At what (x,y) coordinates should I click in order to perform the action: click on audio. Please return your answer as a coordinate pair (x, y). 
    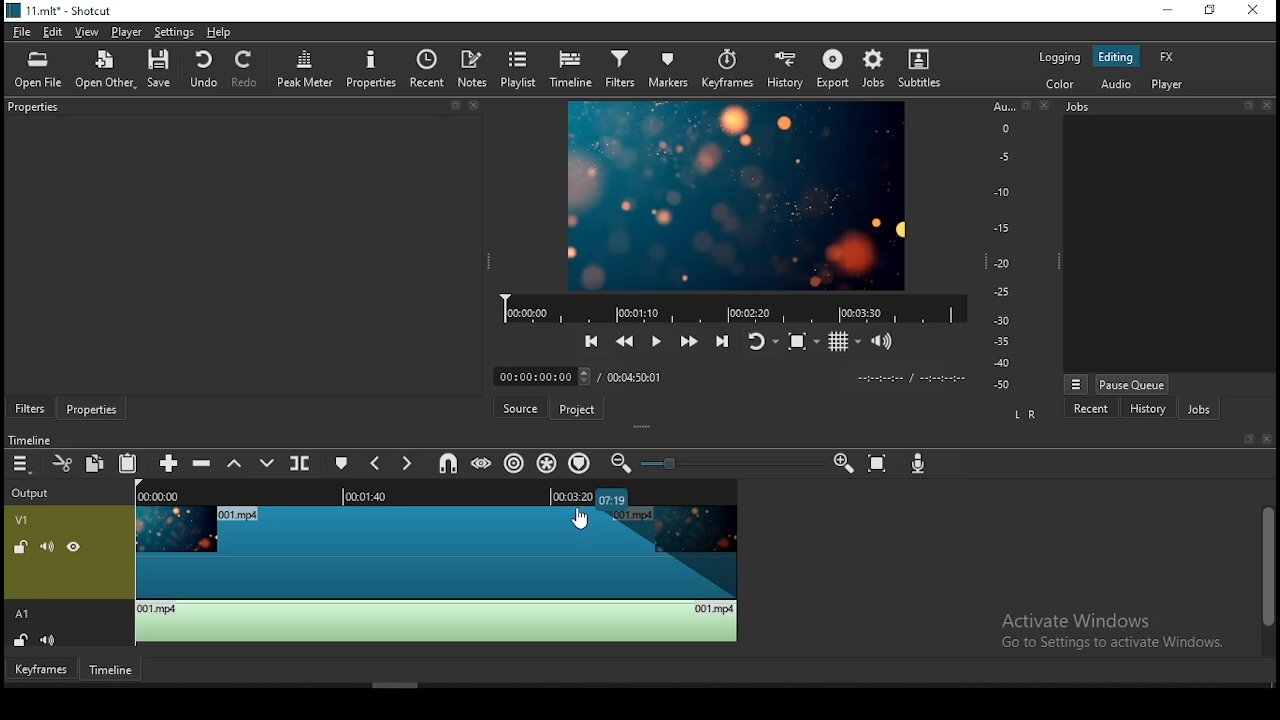
    Looking at the image, I should click on (1119, 84).